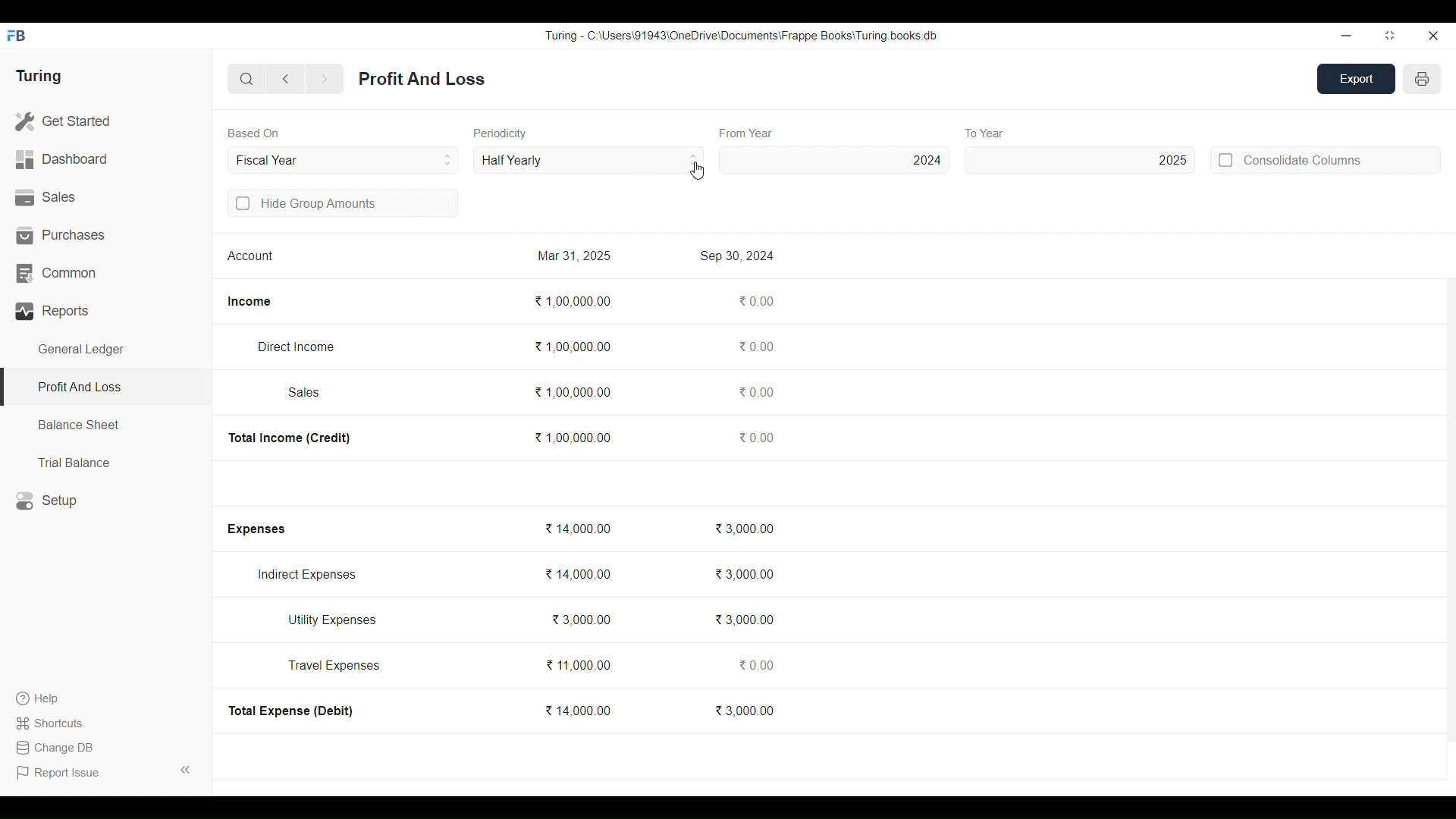 Image resolution: width=1456 pixels, height=819 pixels. I want to click on 0.00, so click(755, 391).